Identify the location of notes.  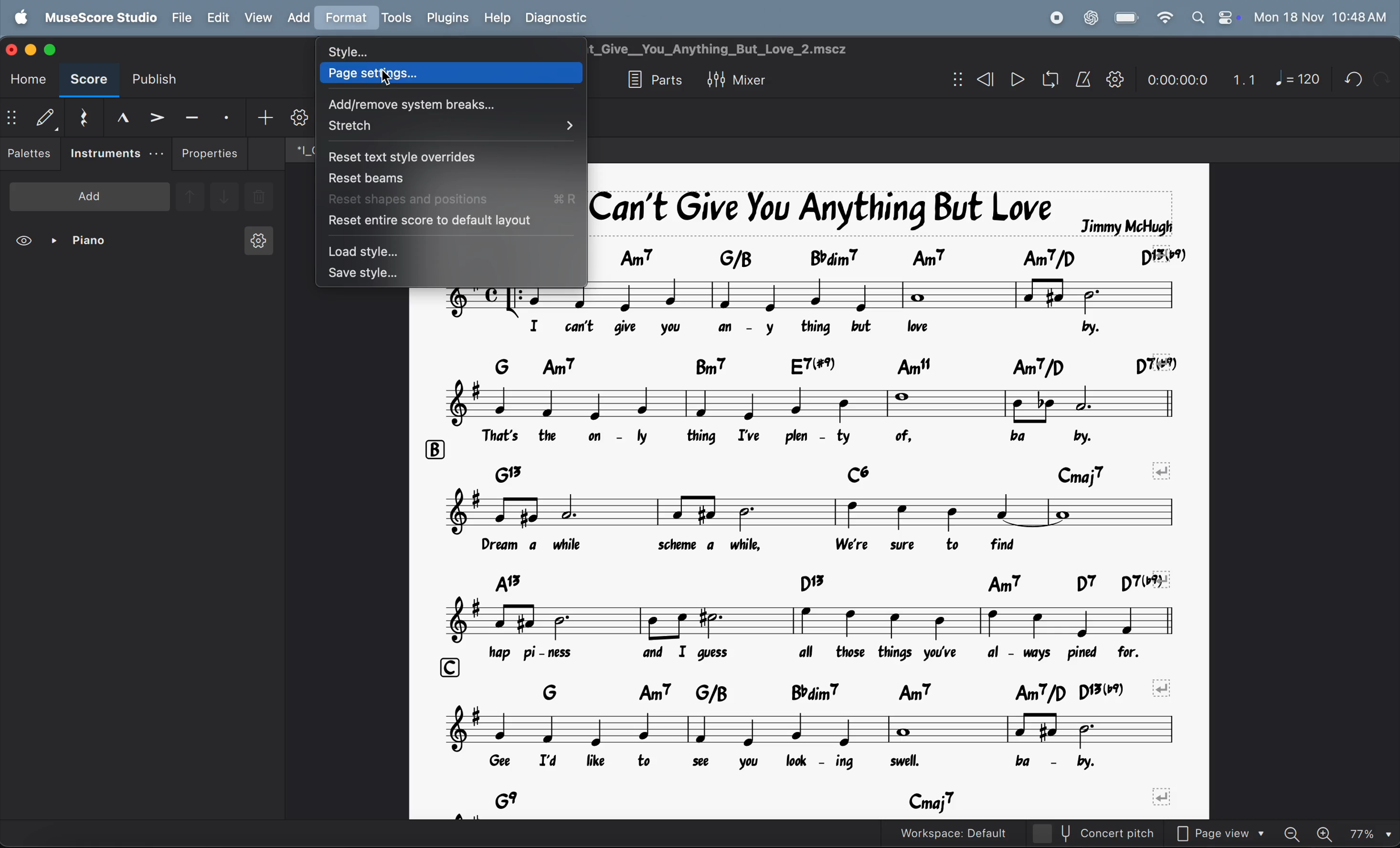
(813, 304).